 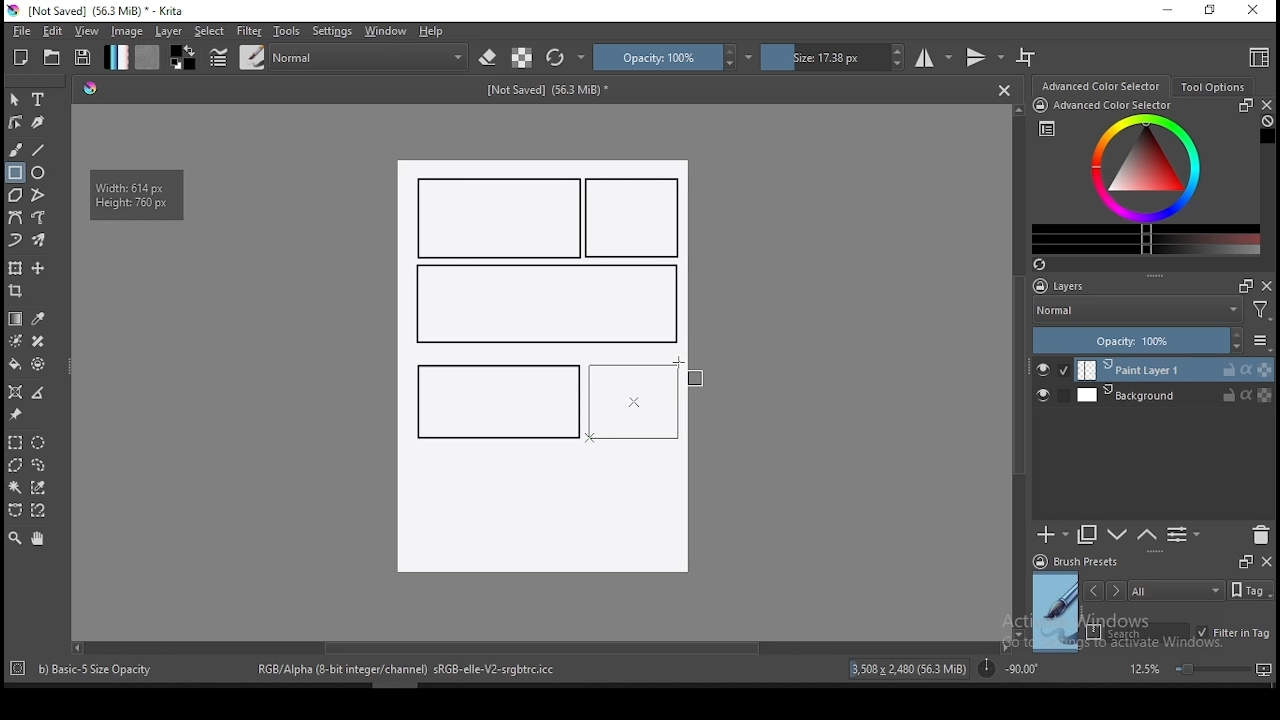 What do you see at coordinates (1150, 342) in the screenshot?
I see `opacity` at bounding box center [1150, 342].